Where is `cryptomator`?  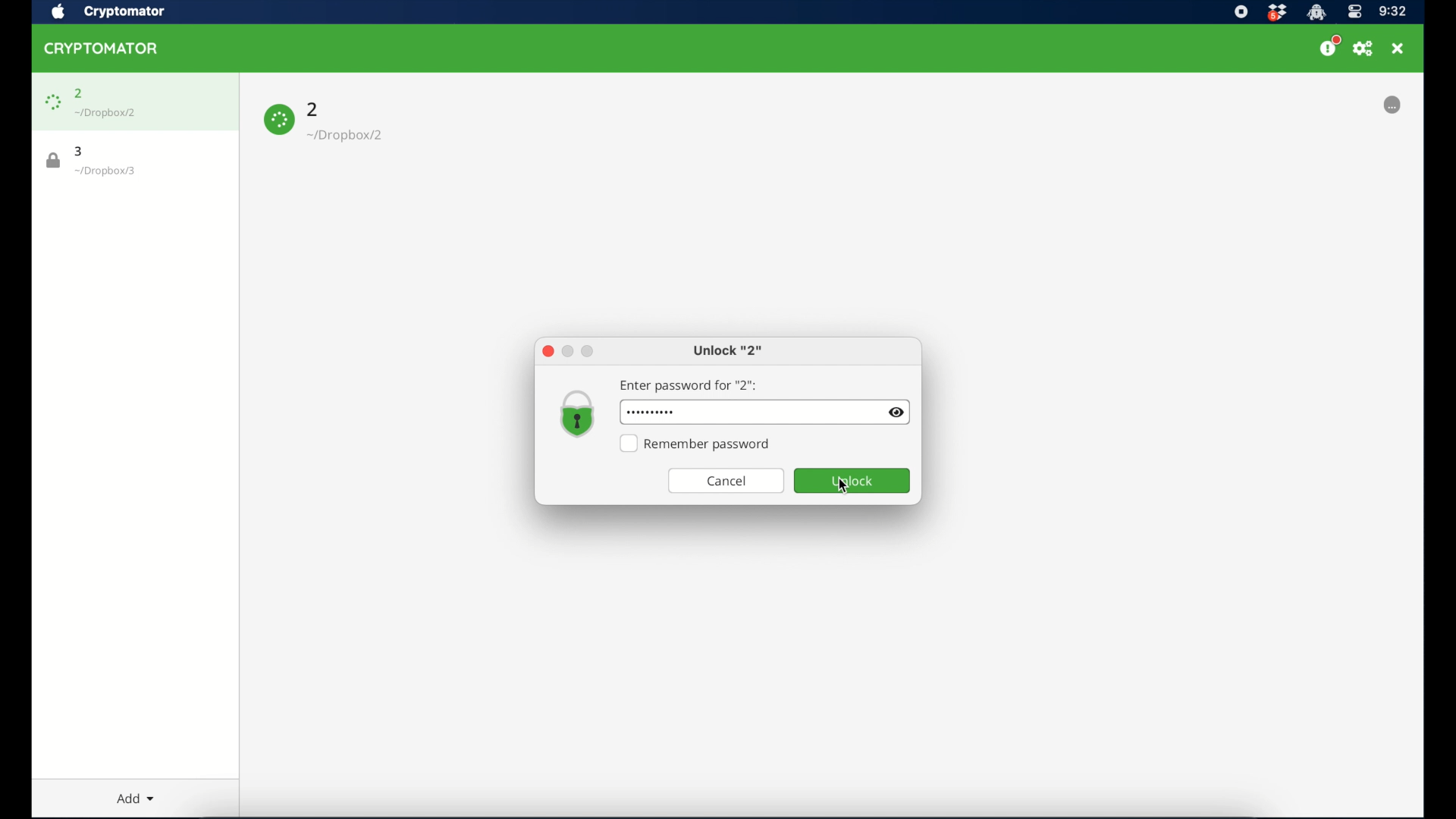 cryptomator is located at coordinates (125, 12).